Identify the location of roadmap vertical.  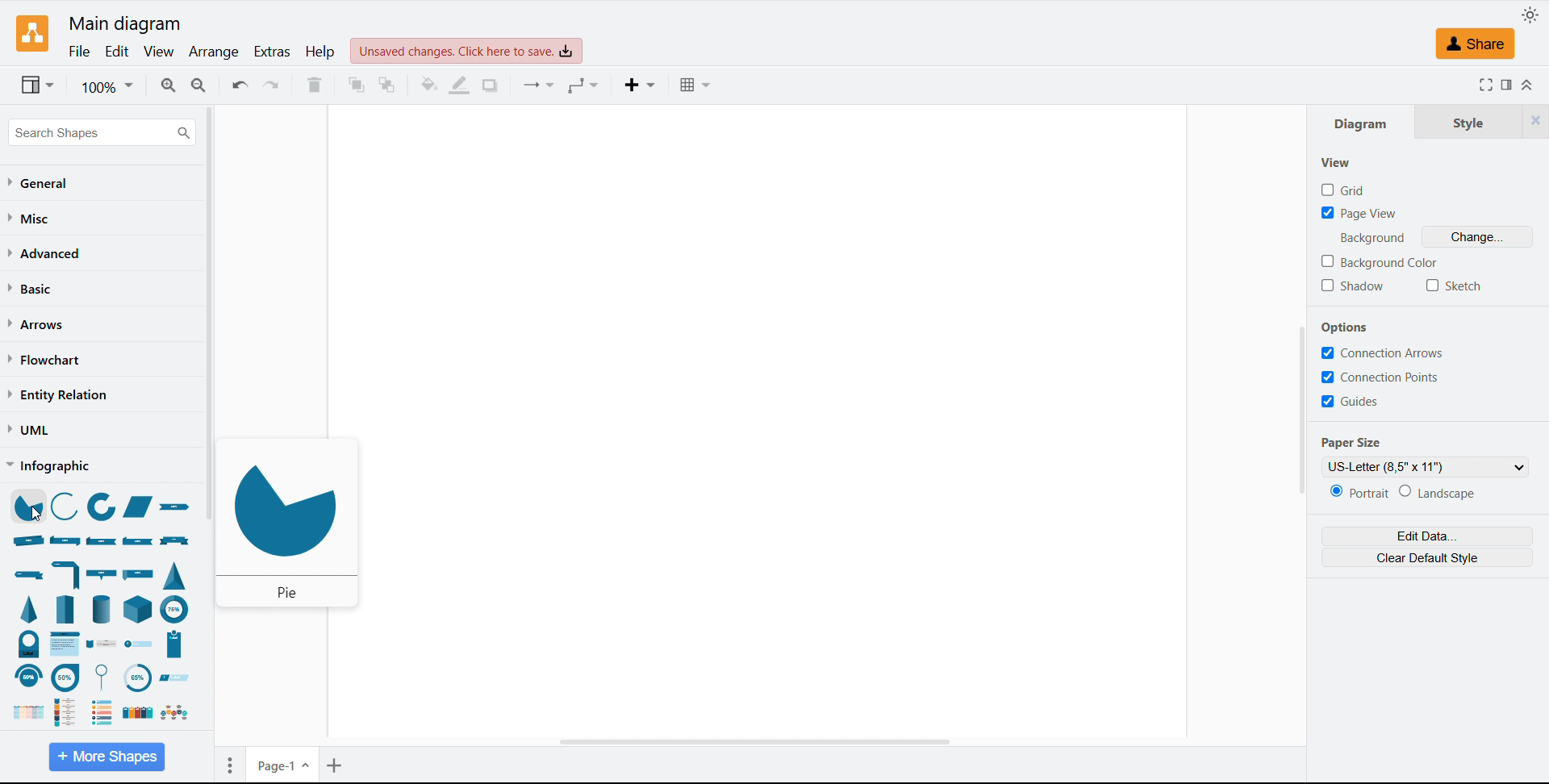
(102, 642).